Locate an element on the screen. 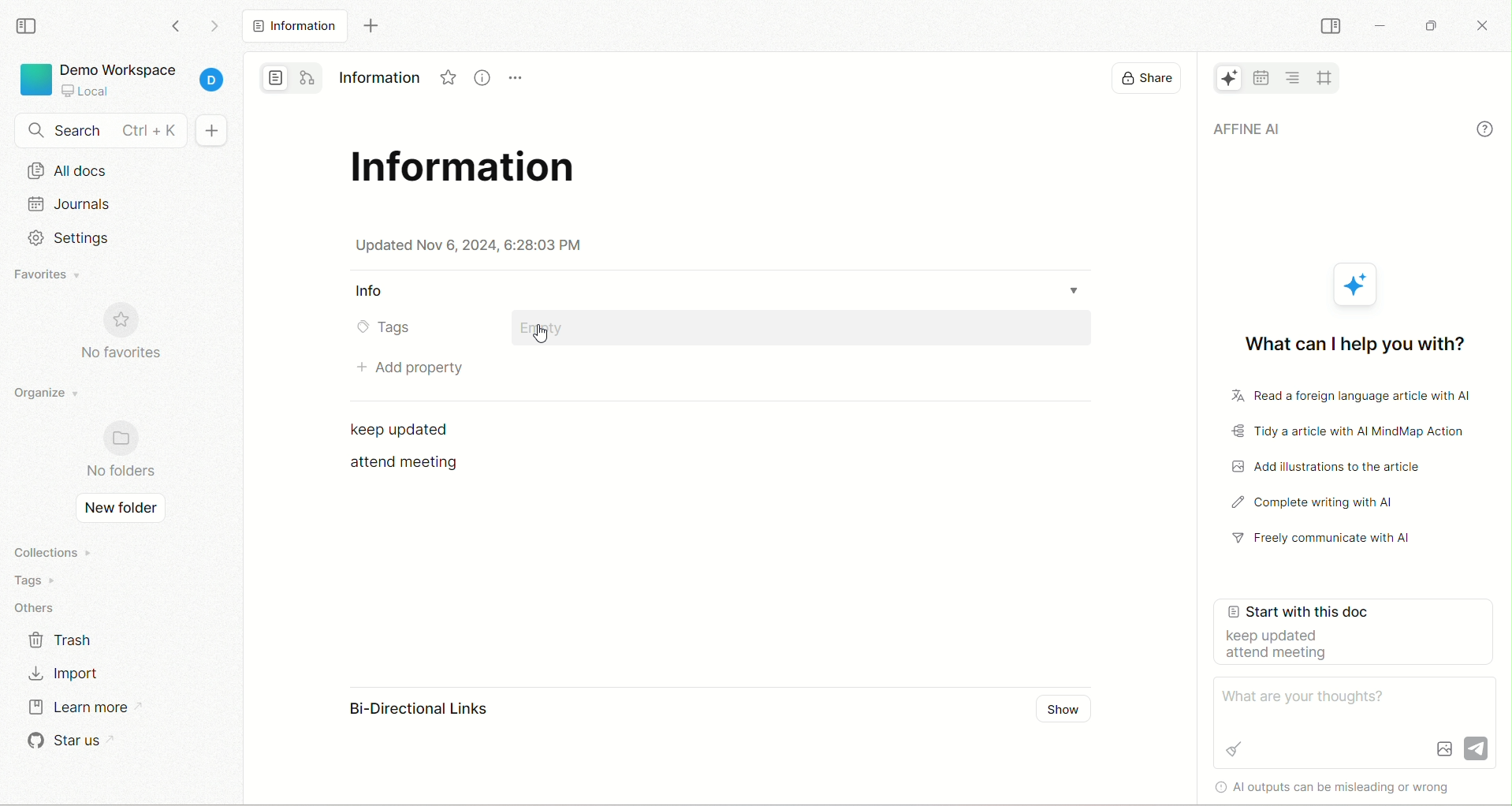  Al outputs can be misleading or wrong is located at coordinates (1254, 789).